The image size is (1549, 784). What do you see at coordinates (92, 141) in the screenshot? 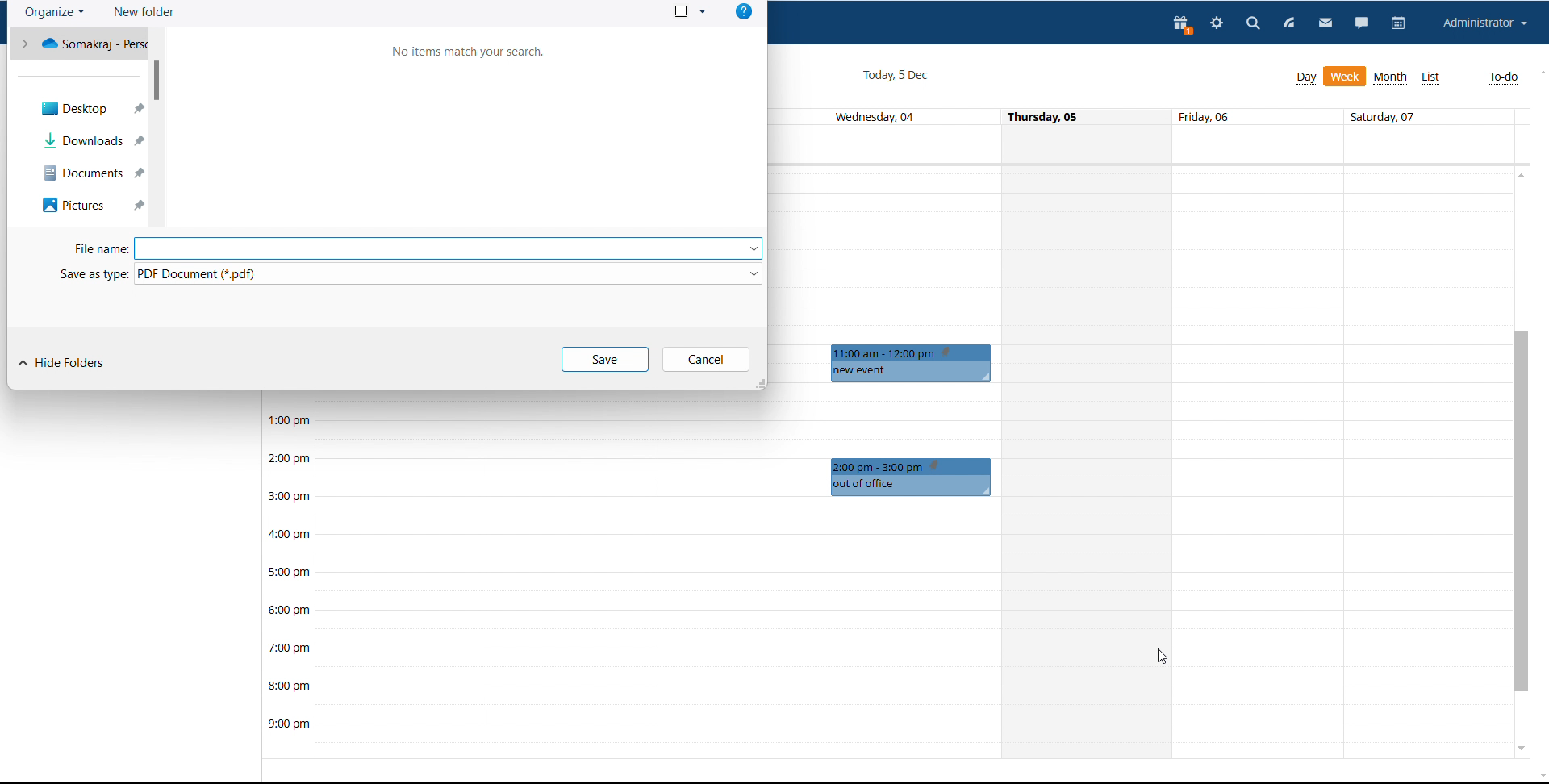
I see `` at bounding box center [92, 141].